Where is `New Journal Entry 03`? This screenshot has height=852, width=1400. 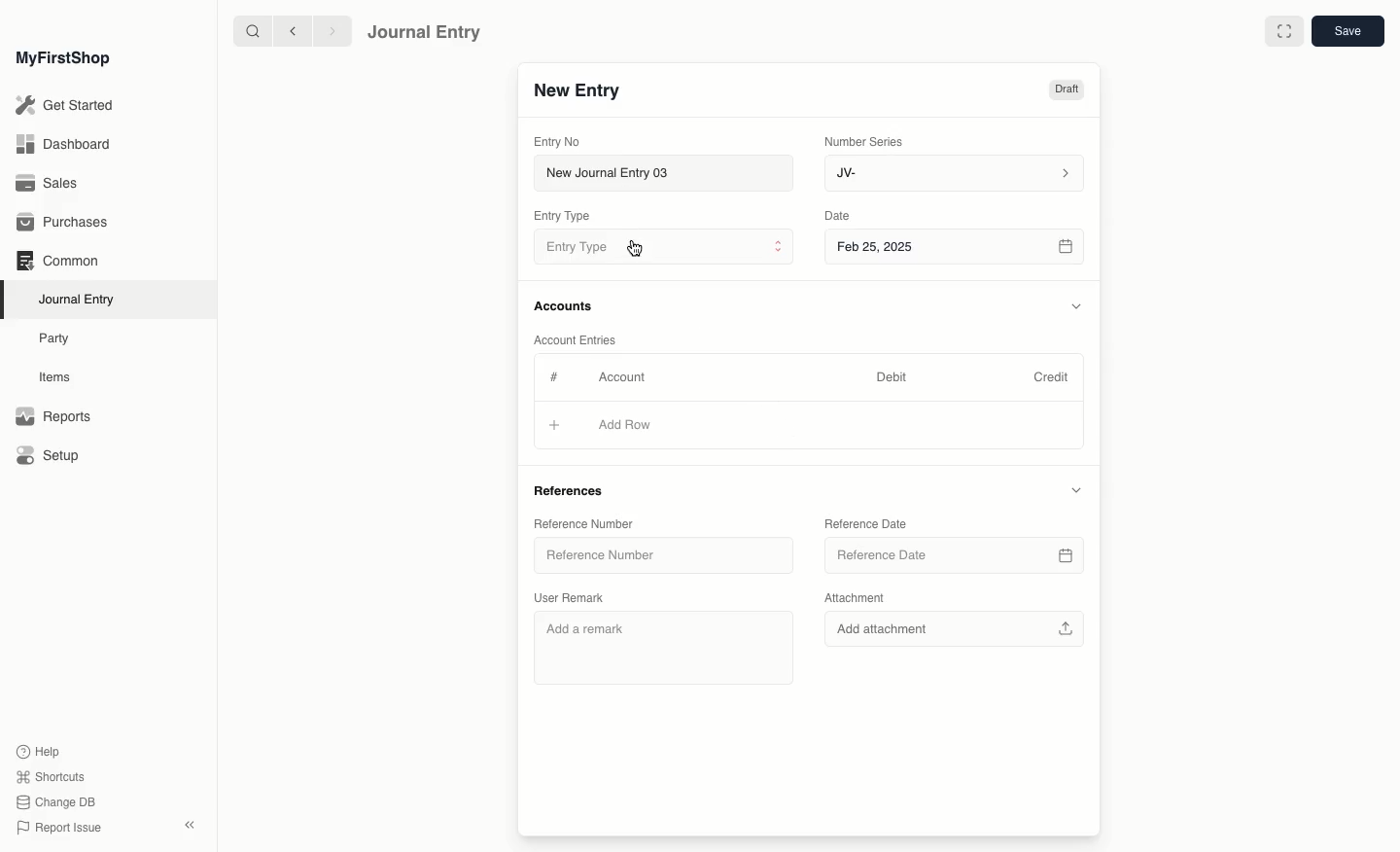
New Journal Entry 03 is located at coordinates (669, 174).